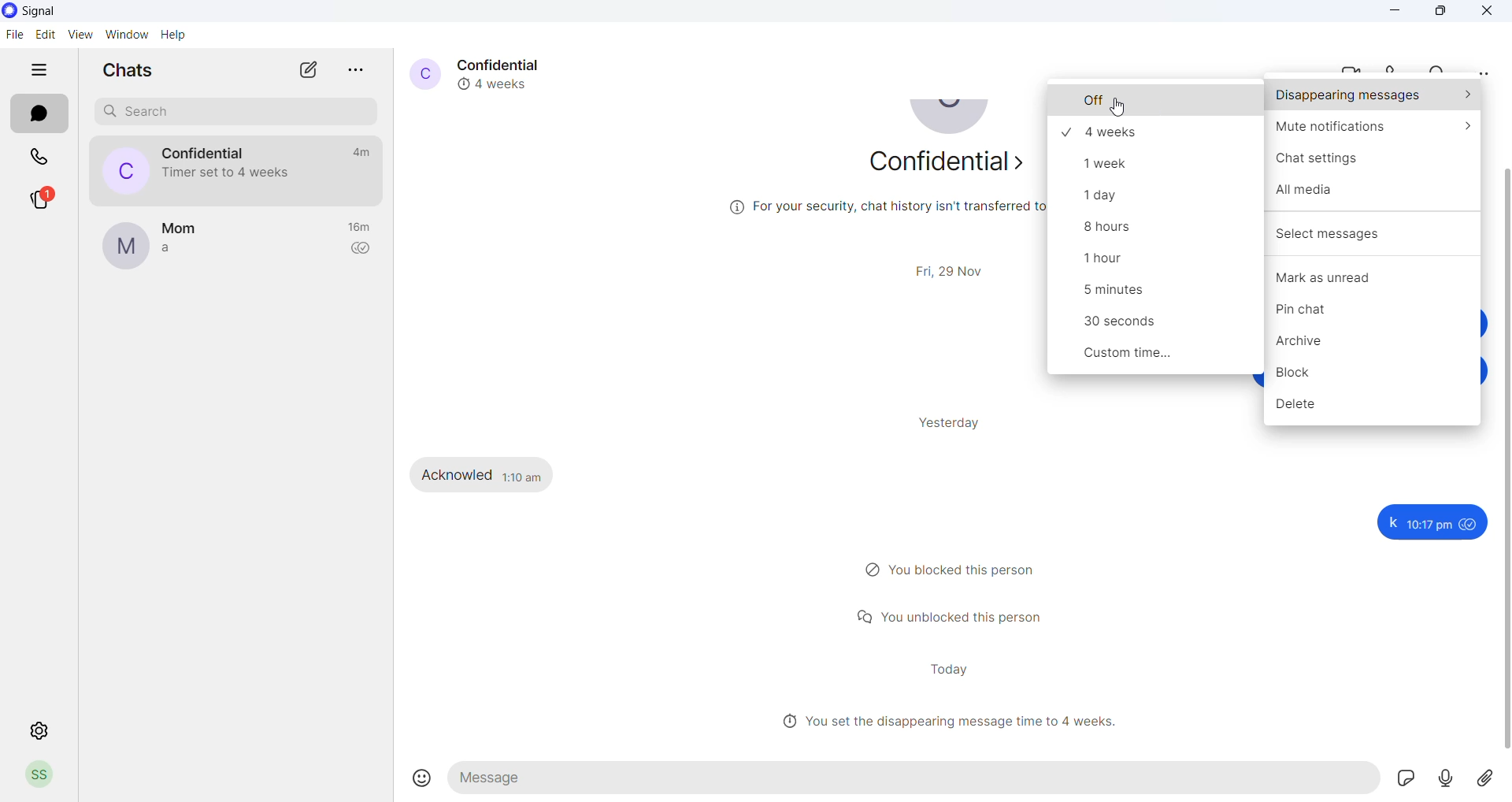 This screenshot has height=802, width=1512. I want to click on stories, so click(41, 199).